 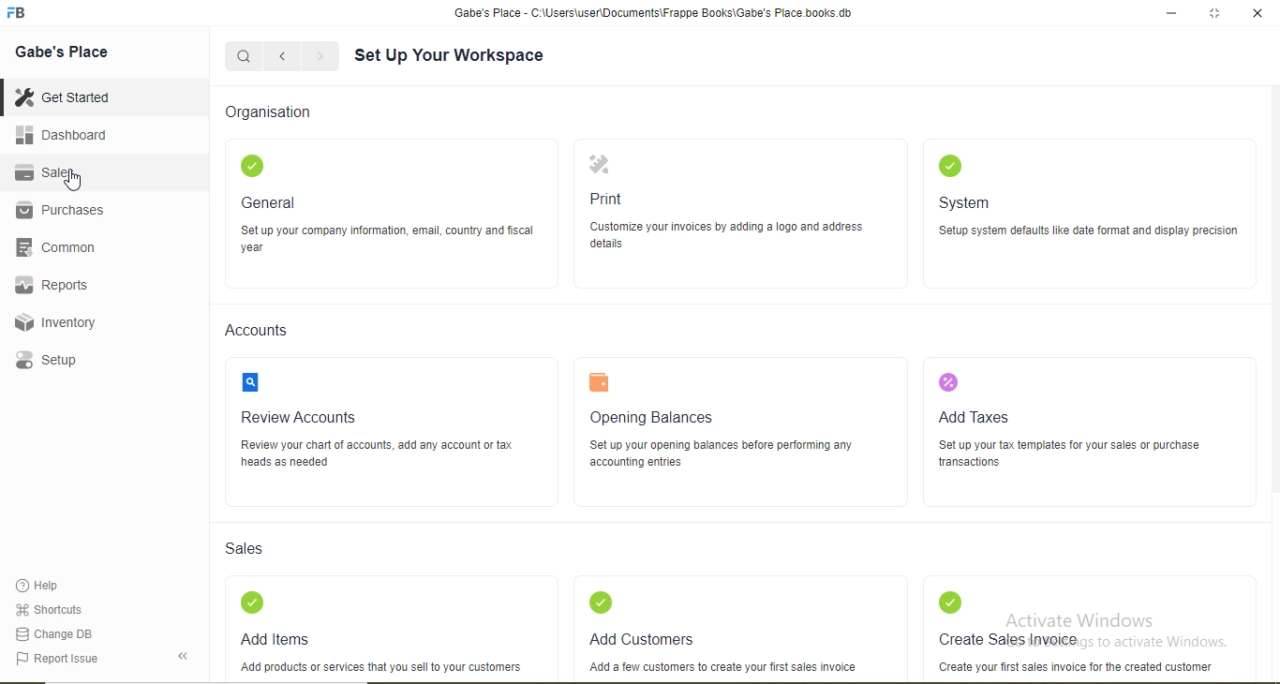 What do you see at coordinates (985, 417) in the screenshot?
I see `Add Taxes` at bounding box center [985, 417].